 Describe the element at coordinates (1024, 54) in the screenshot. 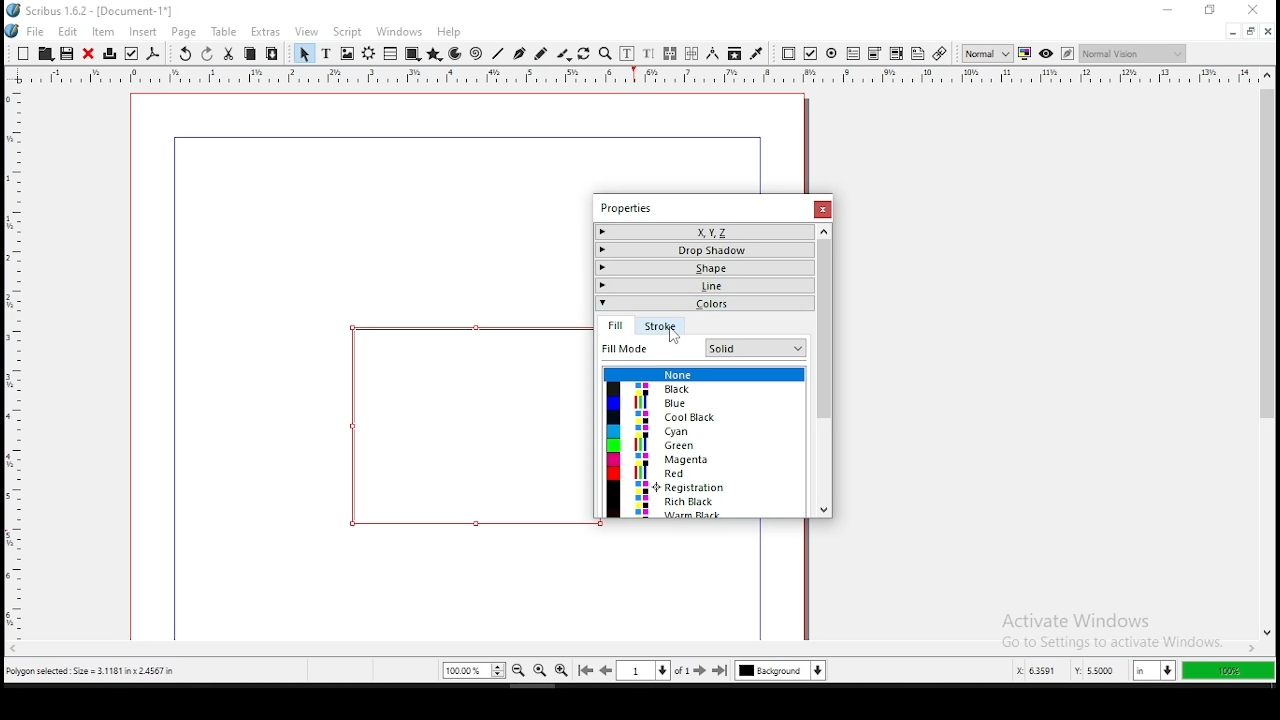

I see `toggle color management system` at that location.